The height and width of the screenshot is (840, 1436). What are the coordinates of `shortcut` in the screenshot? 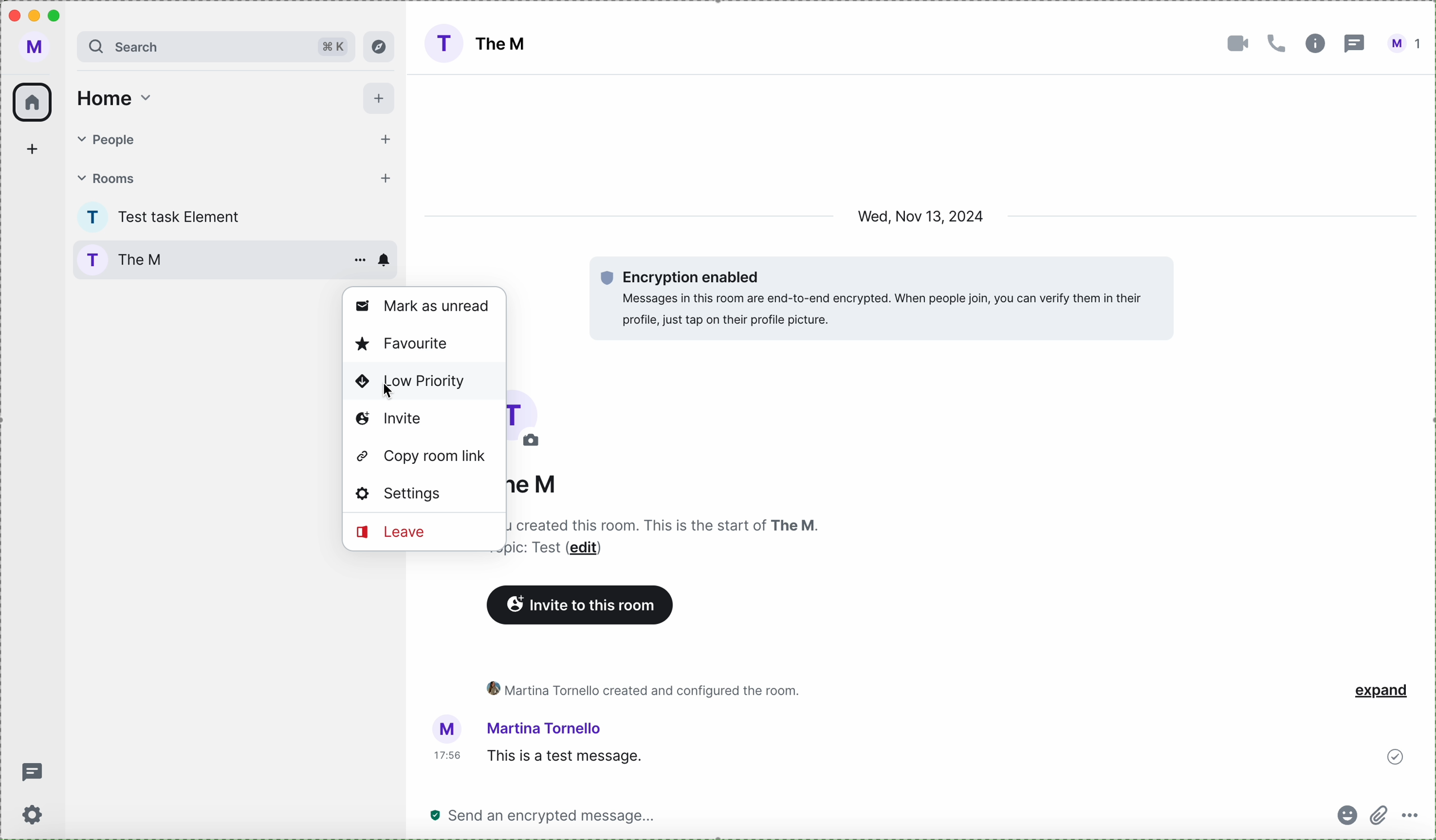 It's located at (333, 48).